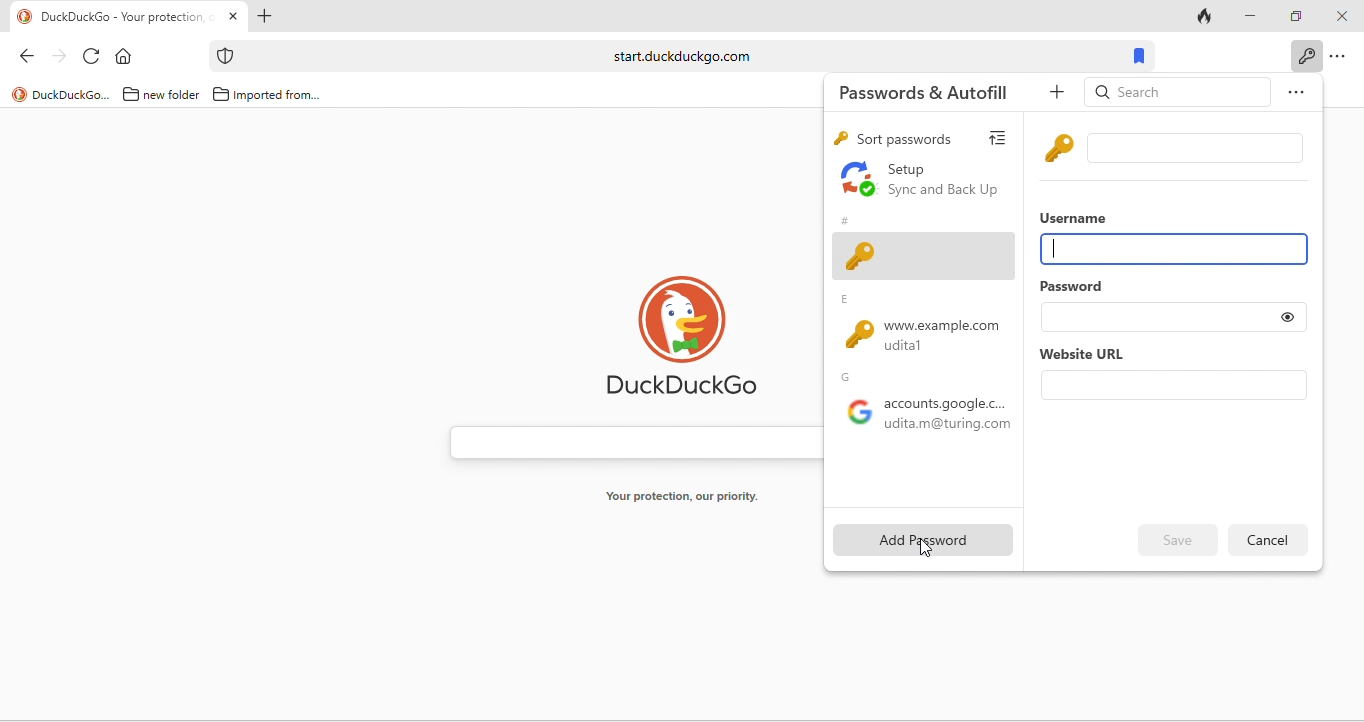 Image resolution: width=1364 pixels, height=722 pixels. Describe the element at coordinates (922, 184) in the screenshot. I see `set up` at that location.